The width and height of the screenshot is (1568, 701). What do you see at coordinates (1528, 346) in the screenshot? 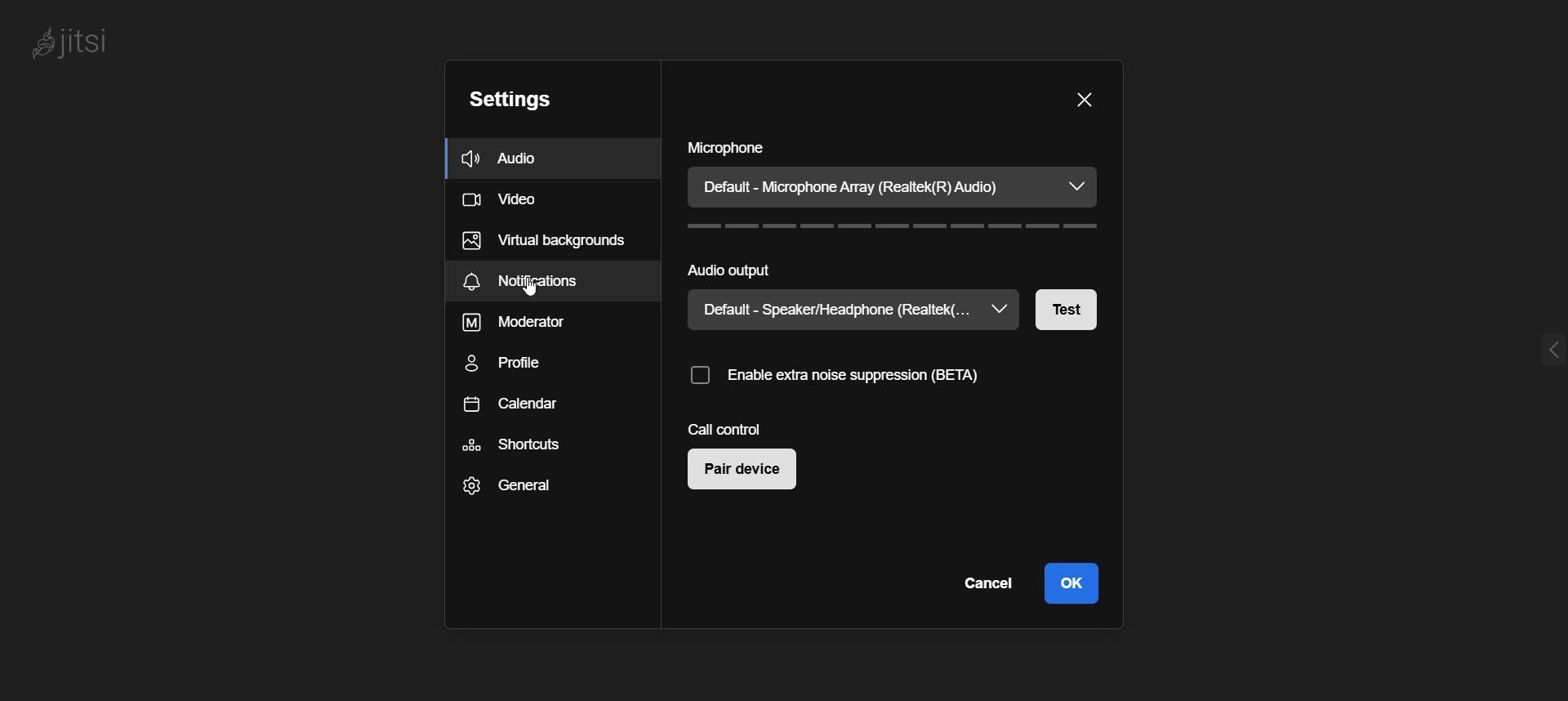
I see `expand` at bounding box center [1528, 346].